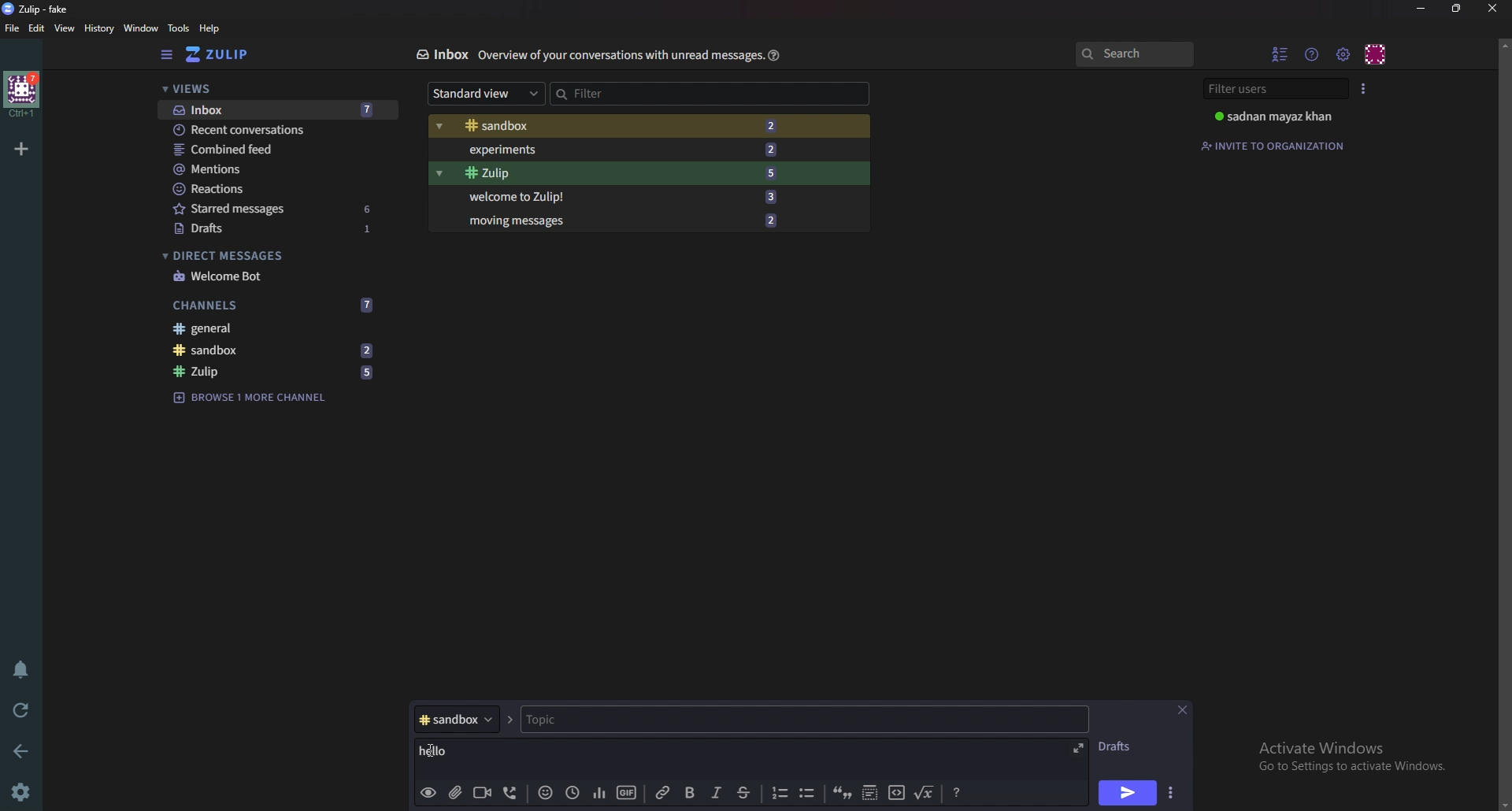 The image size is (1512, 811). Describe the element at coordinates (278, 328) in the screenshot. I see `# General` at that location.